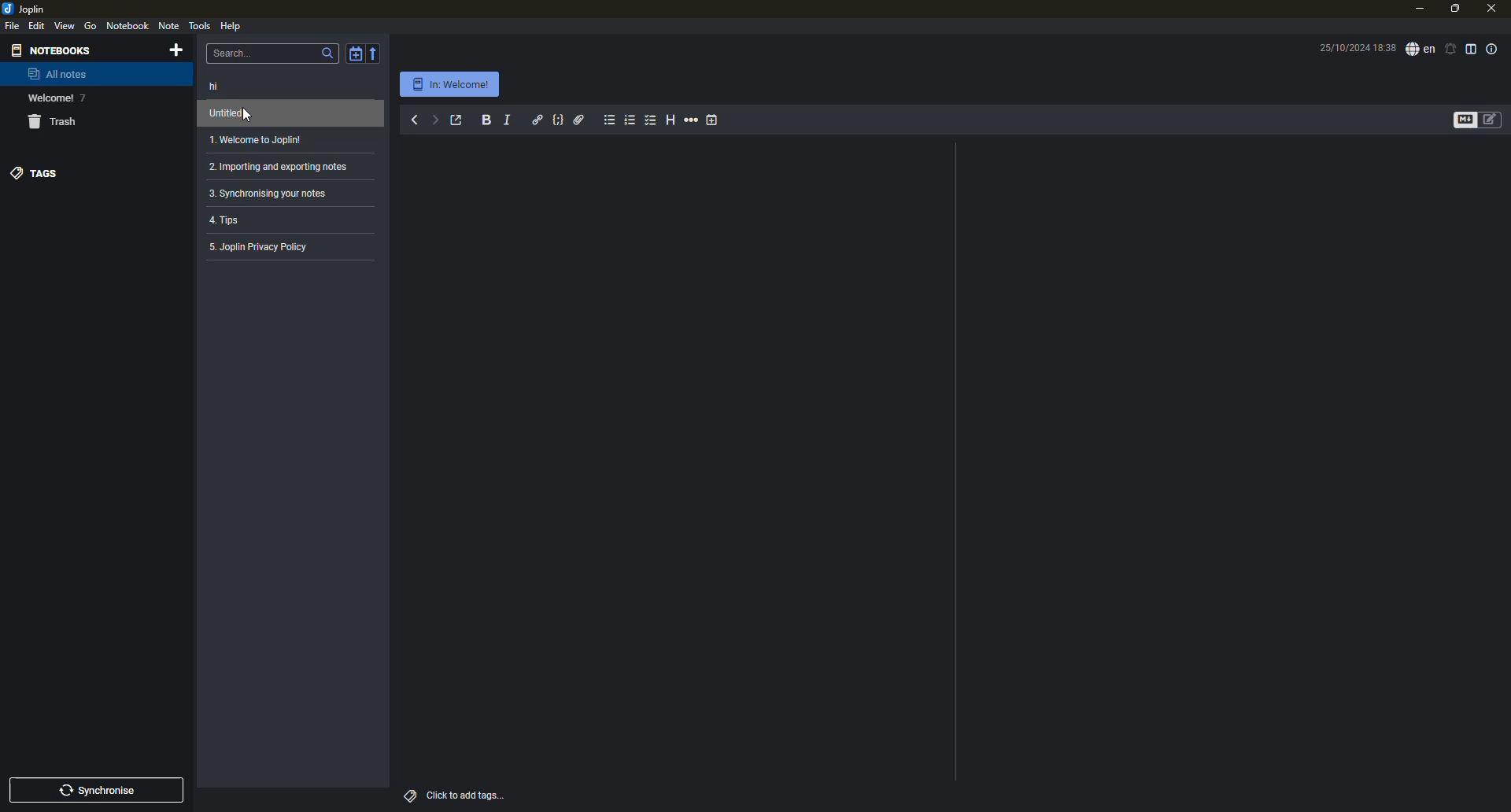 Image resolution: width=1511 pixels, height=812 pixels. I want to click on 25/10/2024 18:38, so click(1357, 48).